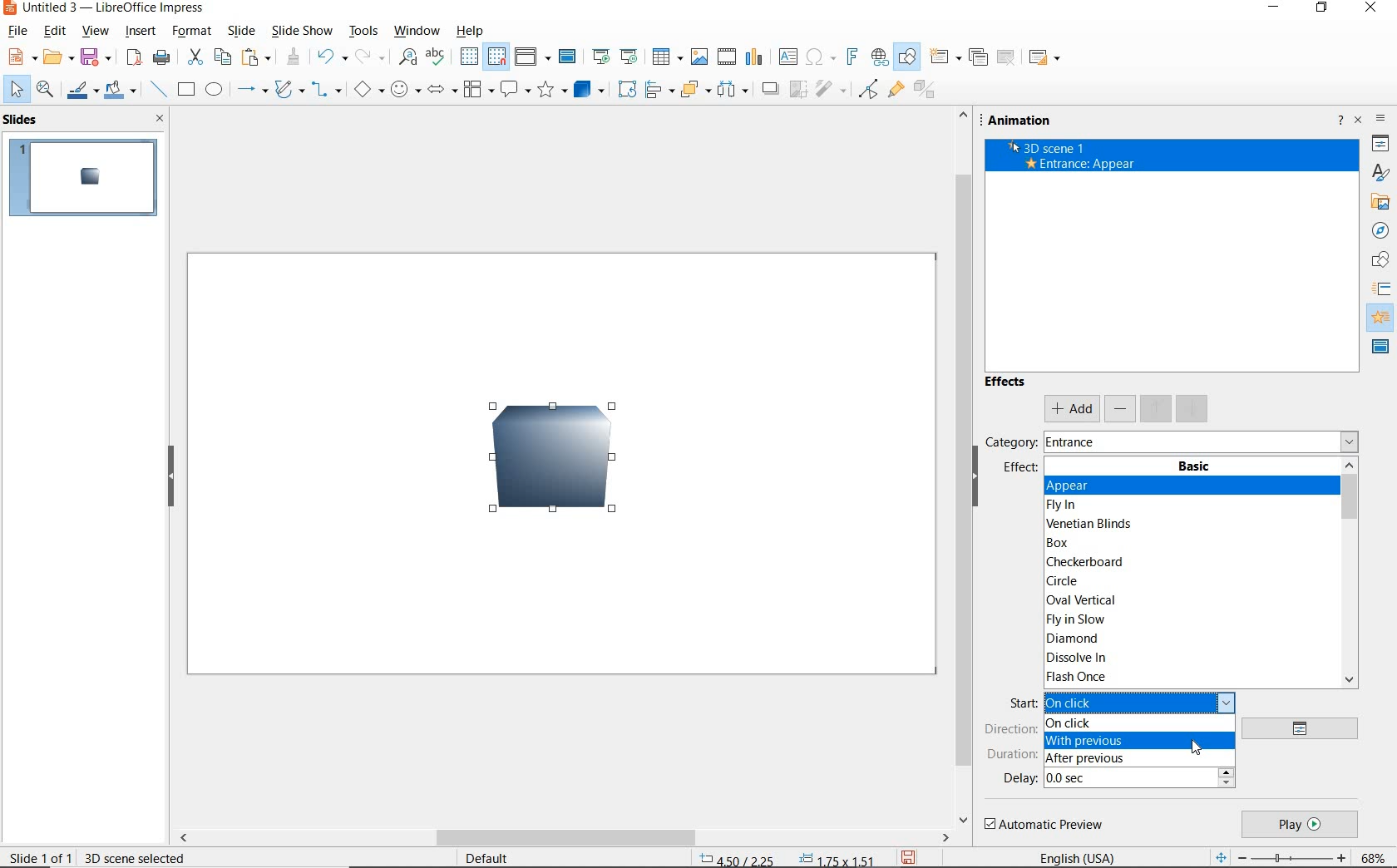 This screenshot has height=868, width=1397. I want to click on delay, so click(1019, 778).